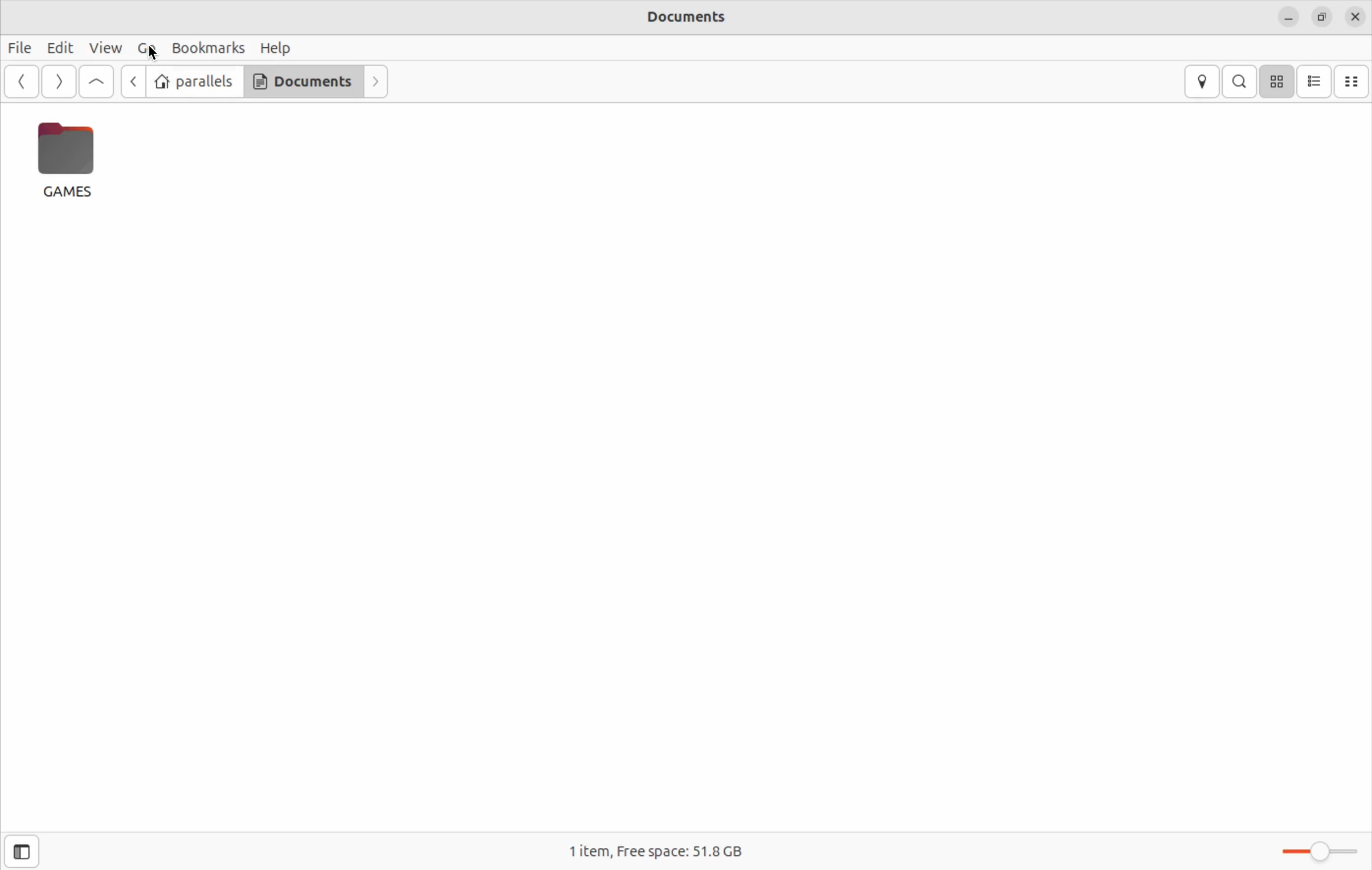  I want to click on go back, so click(23, 81).